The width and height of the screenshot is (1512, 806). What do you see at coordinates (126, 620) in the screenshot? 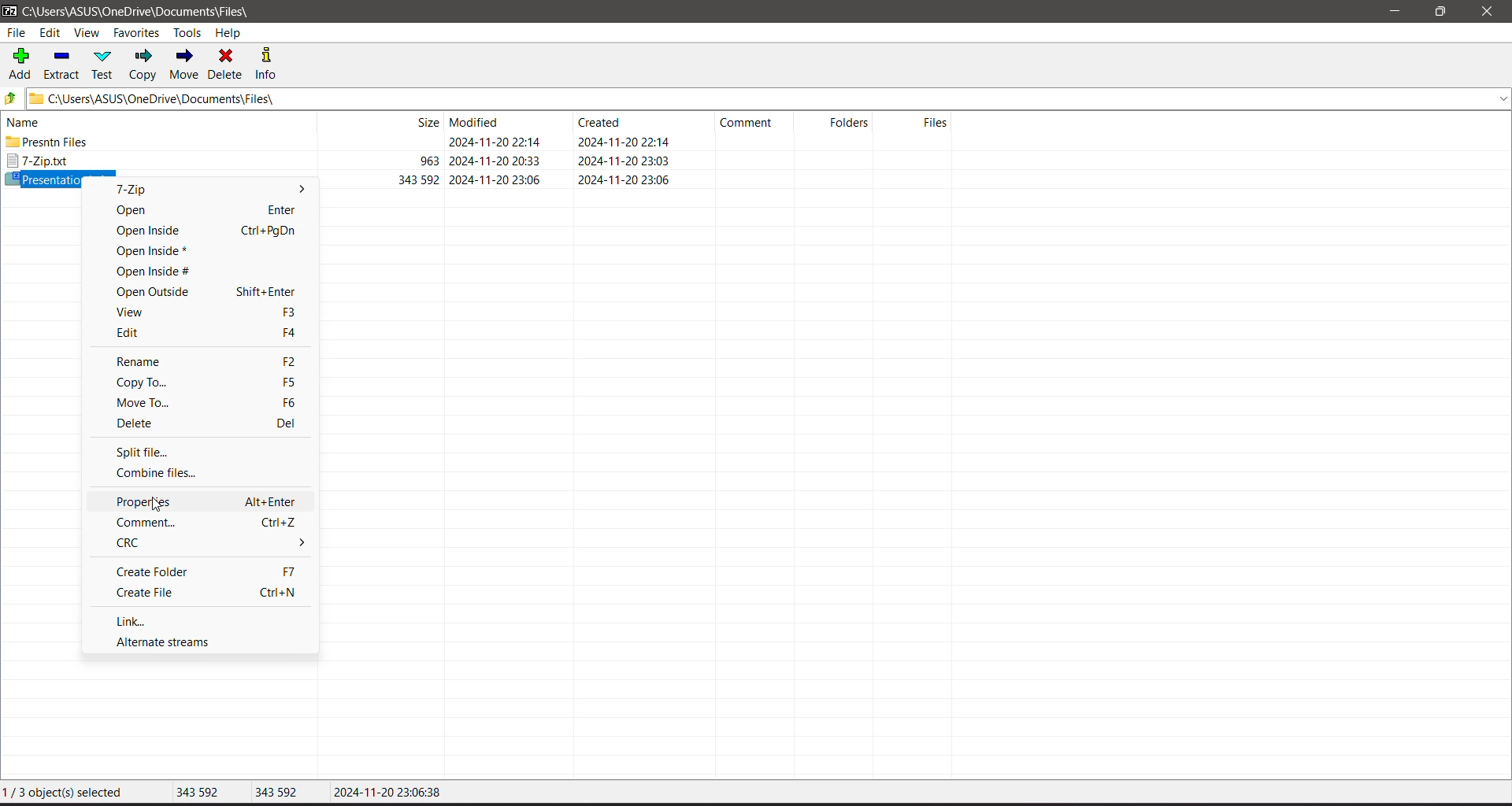
I see `Link` at bounding box center [126, 620].